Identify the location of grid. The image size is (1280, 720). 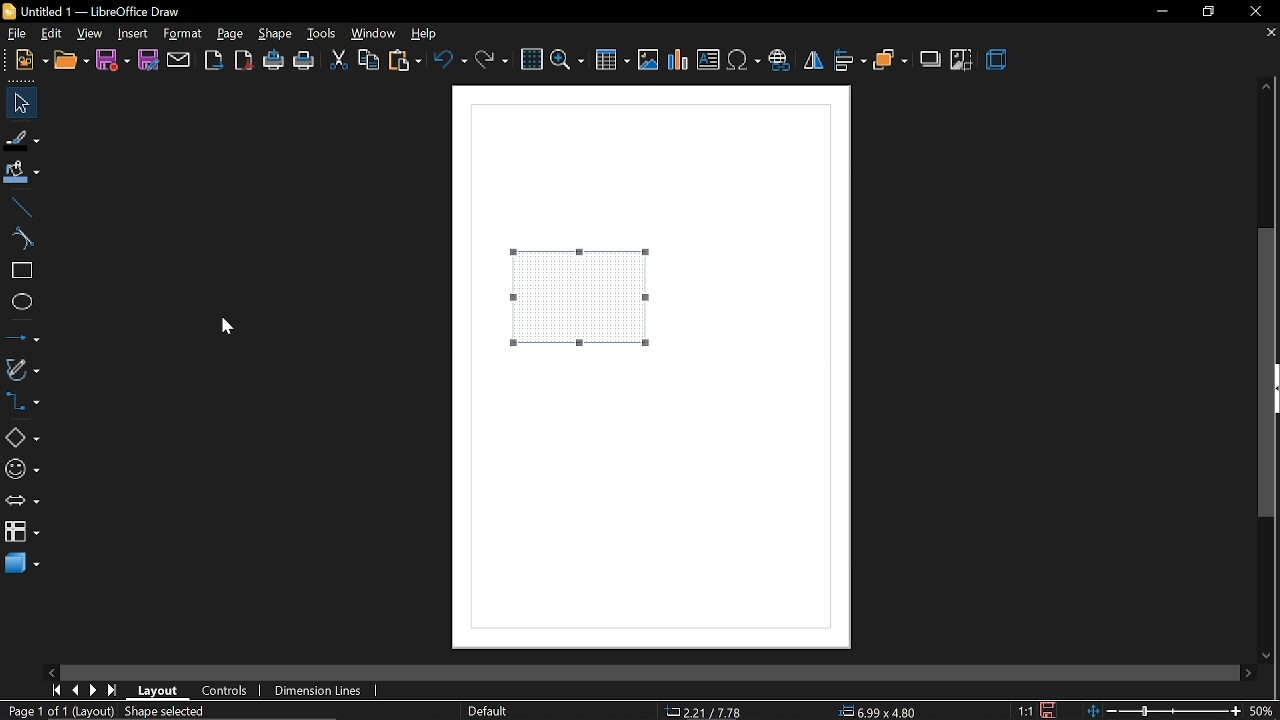
(533, 59).